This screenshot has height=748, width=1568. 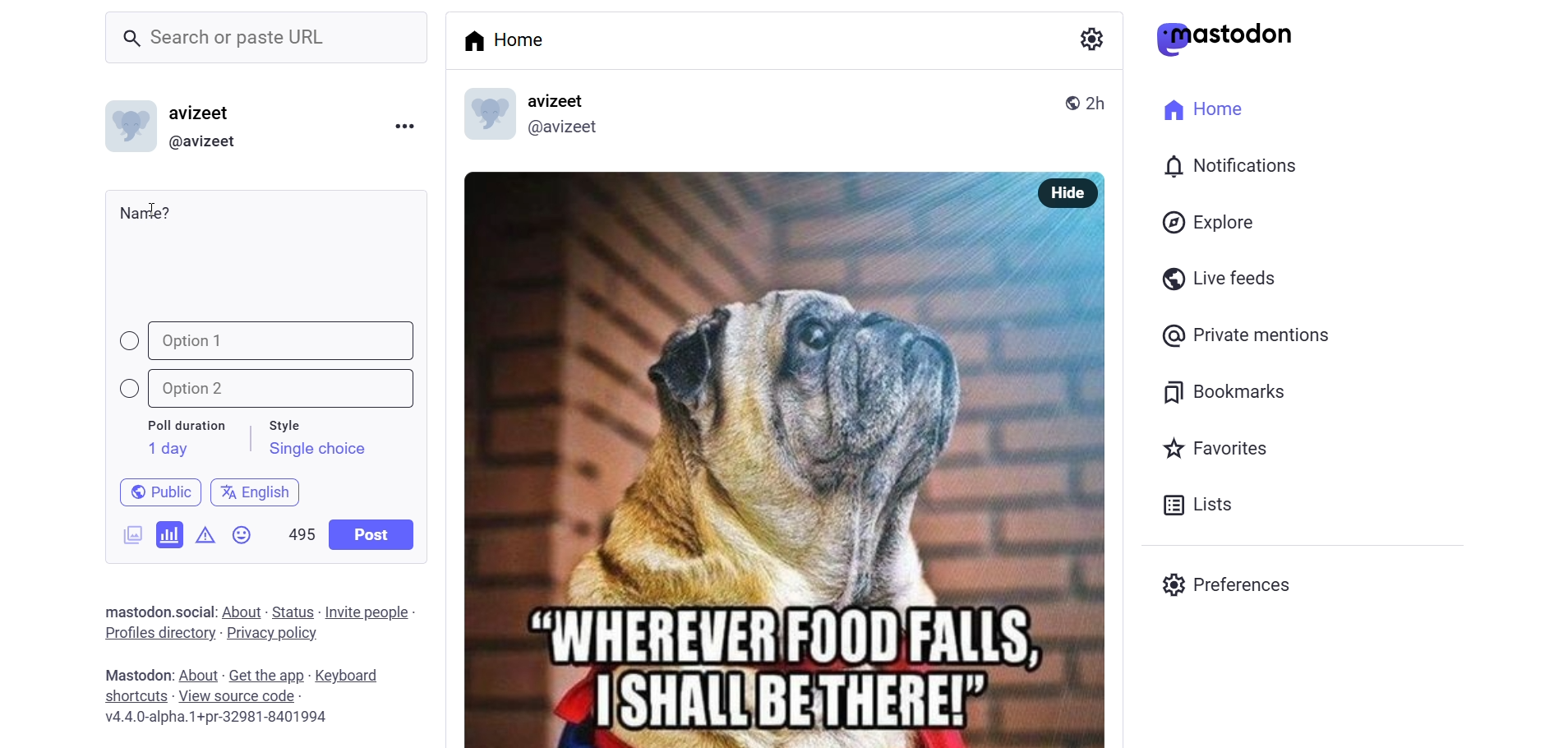 I want to click on emoji, so click(x=243, y=538).